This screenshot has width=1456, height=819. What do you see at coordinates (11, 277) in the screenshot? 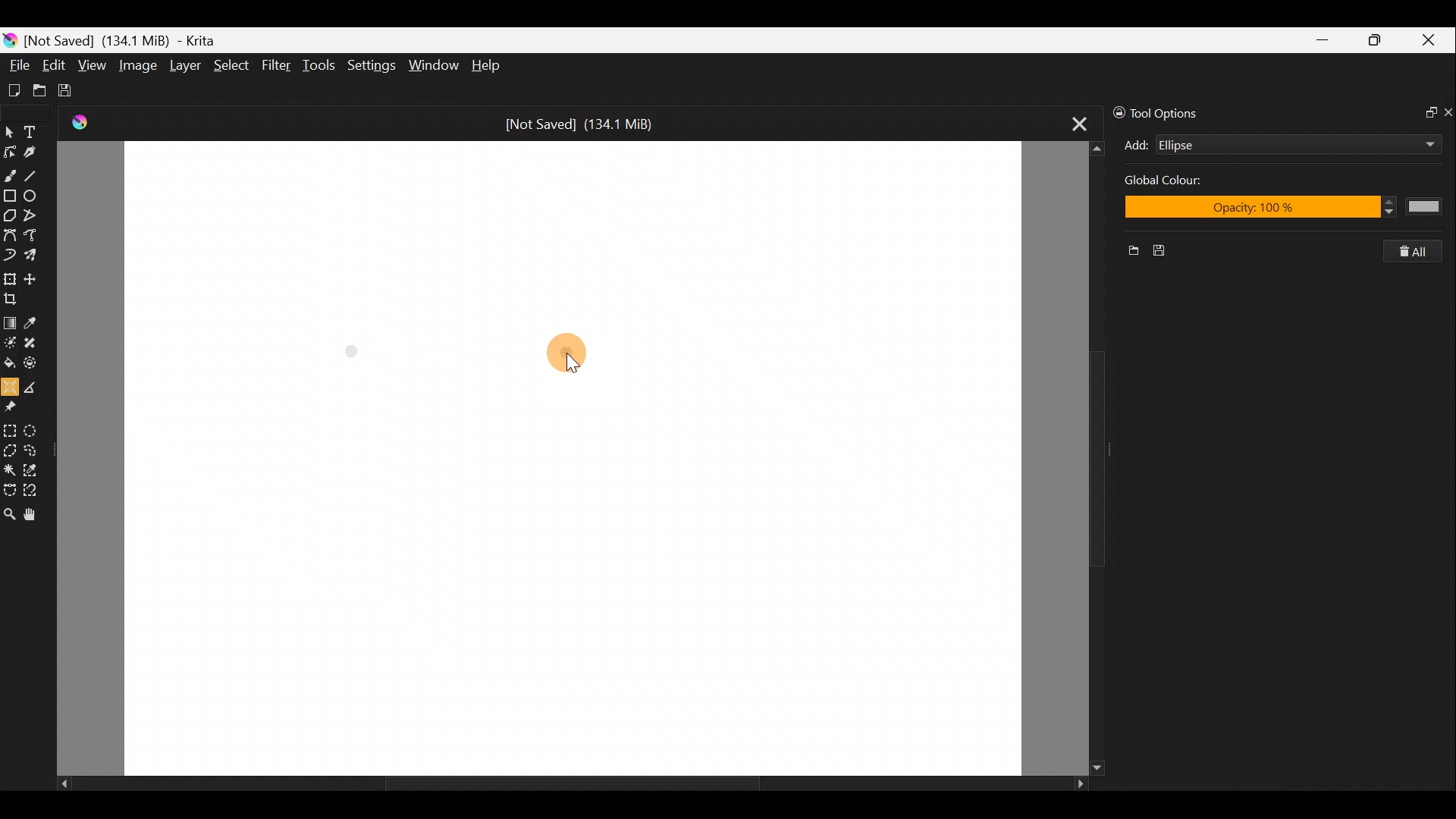
I see `Transform a layer/selection` at bounding box center [11, 277].